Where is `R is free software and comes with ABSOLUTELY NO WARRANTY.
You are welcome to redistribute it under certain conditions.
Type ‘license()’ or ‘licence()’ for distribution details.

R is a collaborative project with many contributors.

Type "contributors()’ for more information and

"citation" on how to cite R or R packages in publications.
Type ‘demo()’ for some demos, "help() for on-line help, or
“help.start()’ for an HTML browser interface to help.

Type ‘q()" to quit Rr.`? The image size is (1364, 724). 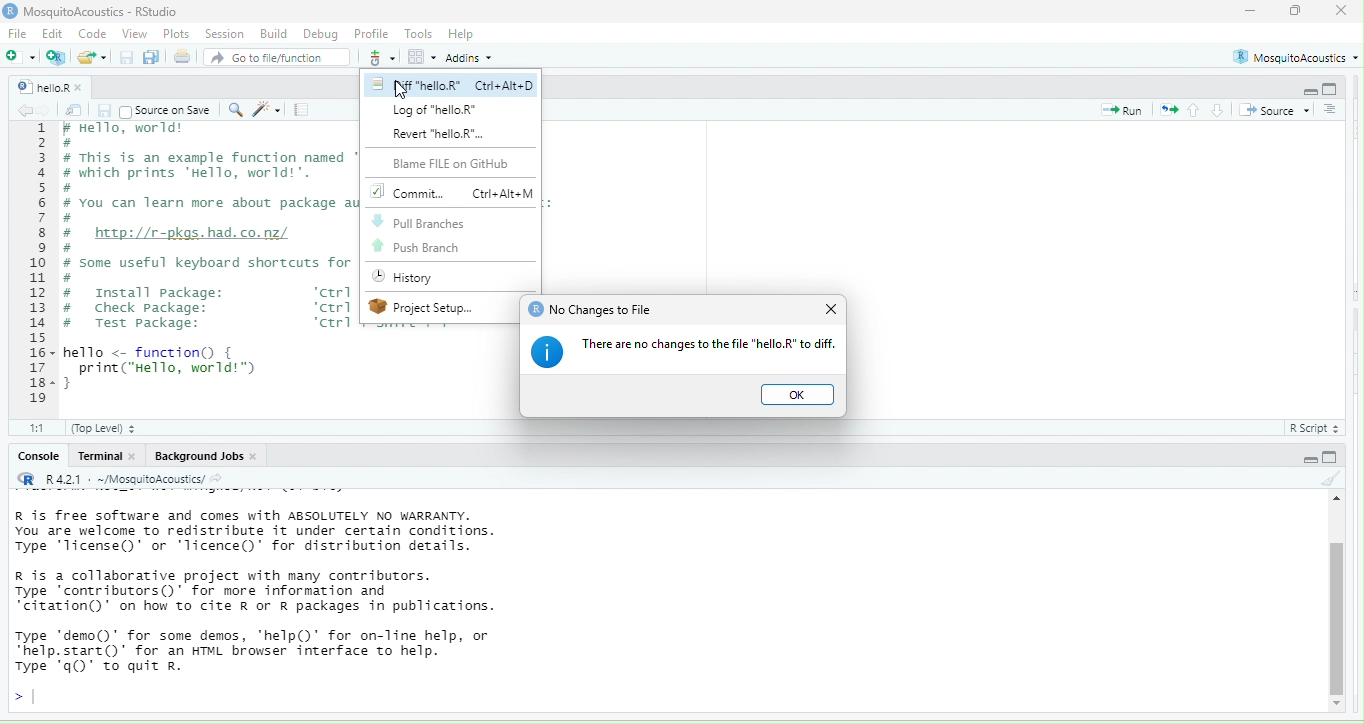
R is free software and comes with ABSOLUTELY NO WARRANTY.
You are welcome to redistribute it under certain conditions.
Type ‘license()’ or ‘licence()’ for distribution details.

R is a collaborative project with many contributors.

Type "contributors()’ for more information and

"citation" on how to cite R or R packages in publications.
Type ‘demo()’ for some demos, "help() for on-line help, or
“help.start()’ for an HTML browser interface to help.

Type ‘q()" to quit Rr. is located at coordinates (324, 593).